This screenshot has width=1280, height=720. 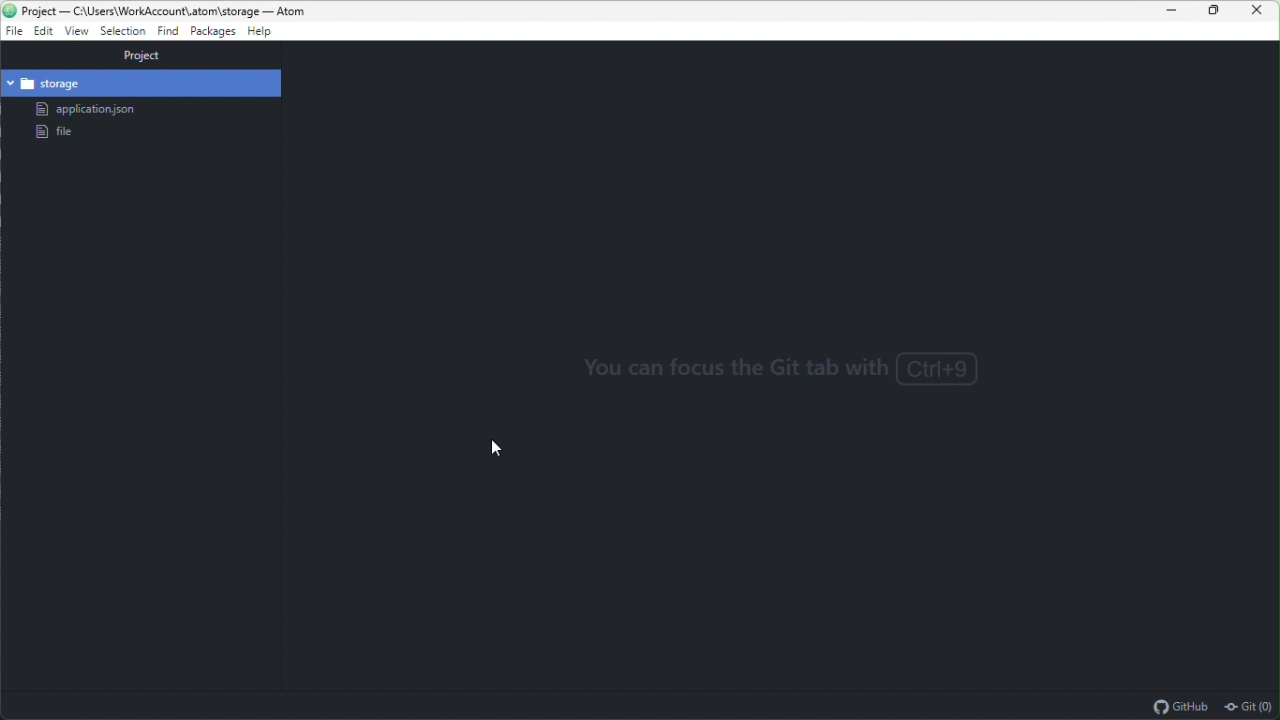 What do you see at coordinates (264, 32) in the screenshot?
I see `Help` at bounding box center [264, 32].